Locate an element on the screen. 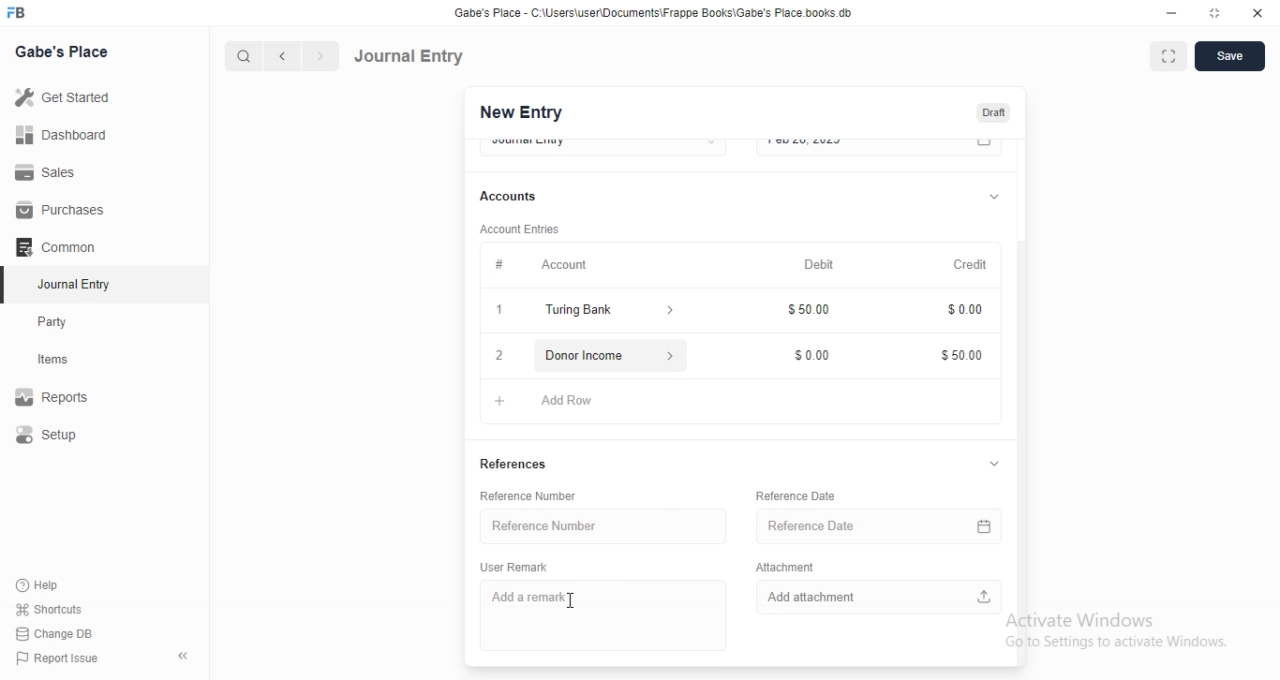 Image resolution: width=1280 pixels, height=680 pixels. Credit is located at coordinates (972, 265).